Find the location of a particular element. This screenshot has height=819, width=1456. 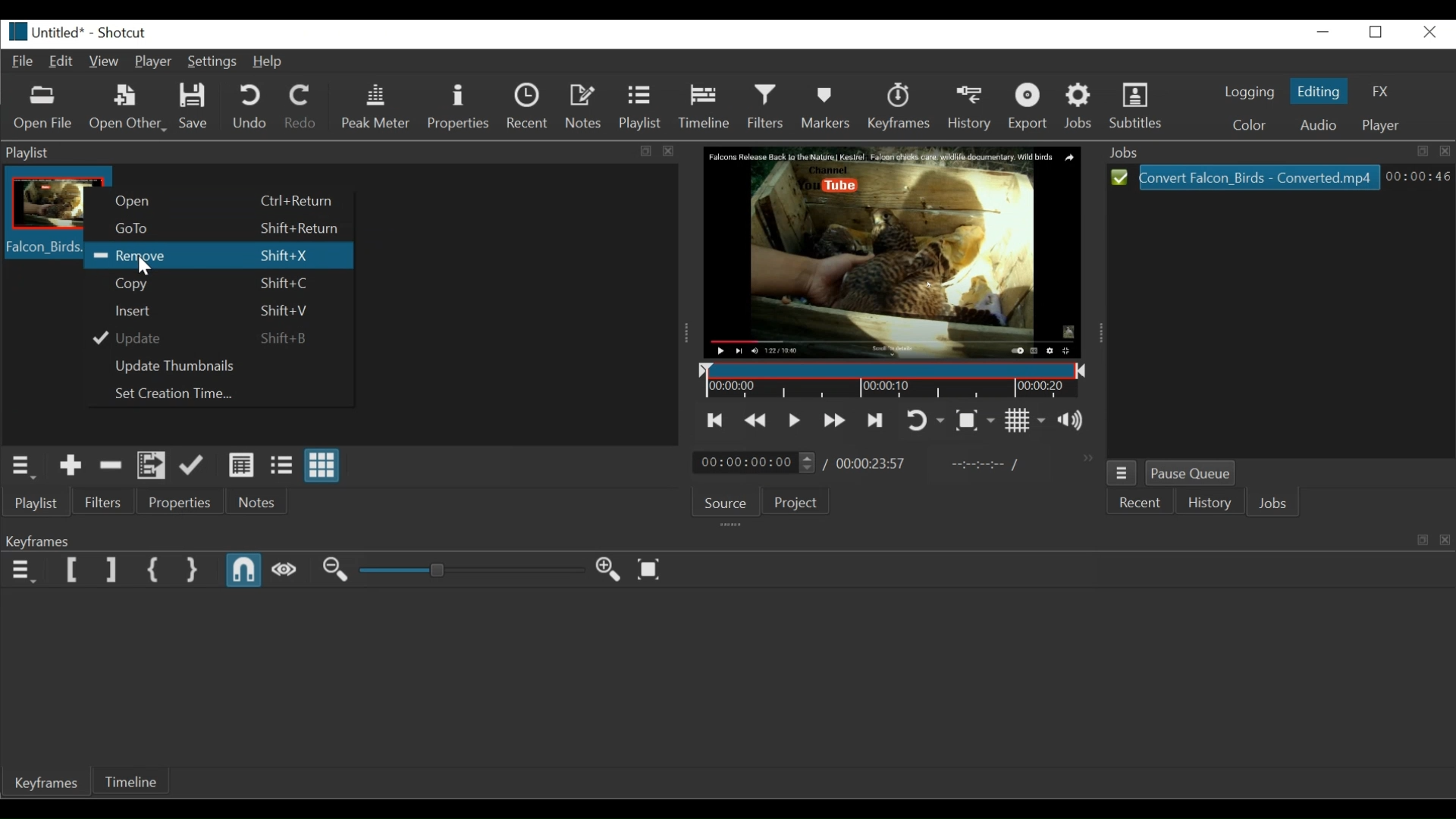

Project is located at coordinates (799, 504).